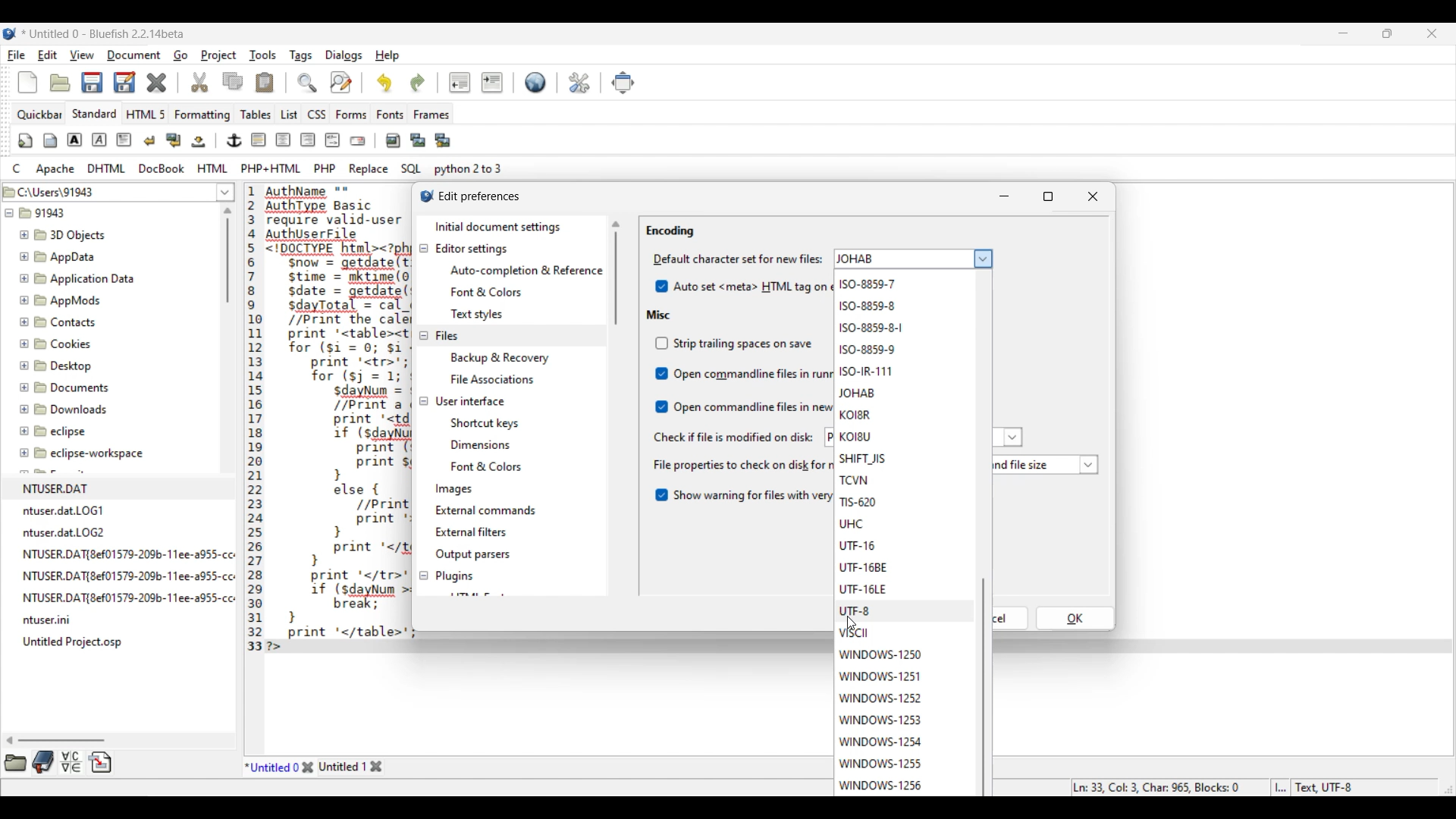 Image resolution: width=1456 pixels, height=819 pixels. What do you see at coordinates (1007, 196) in the screenshot?
I see `Minimize` at bounding box center [1007, 196].